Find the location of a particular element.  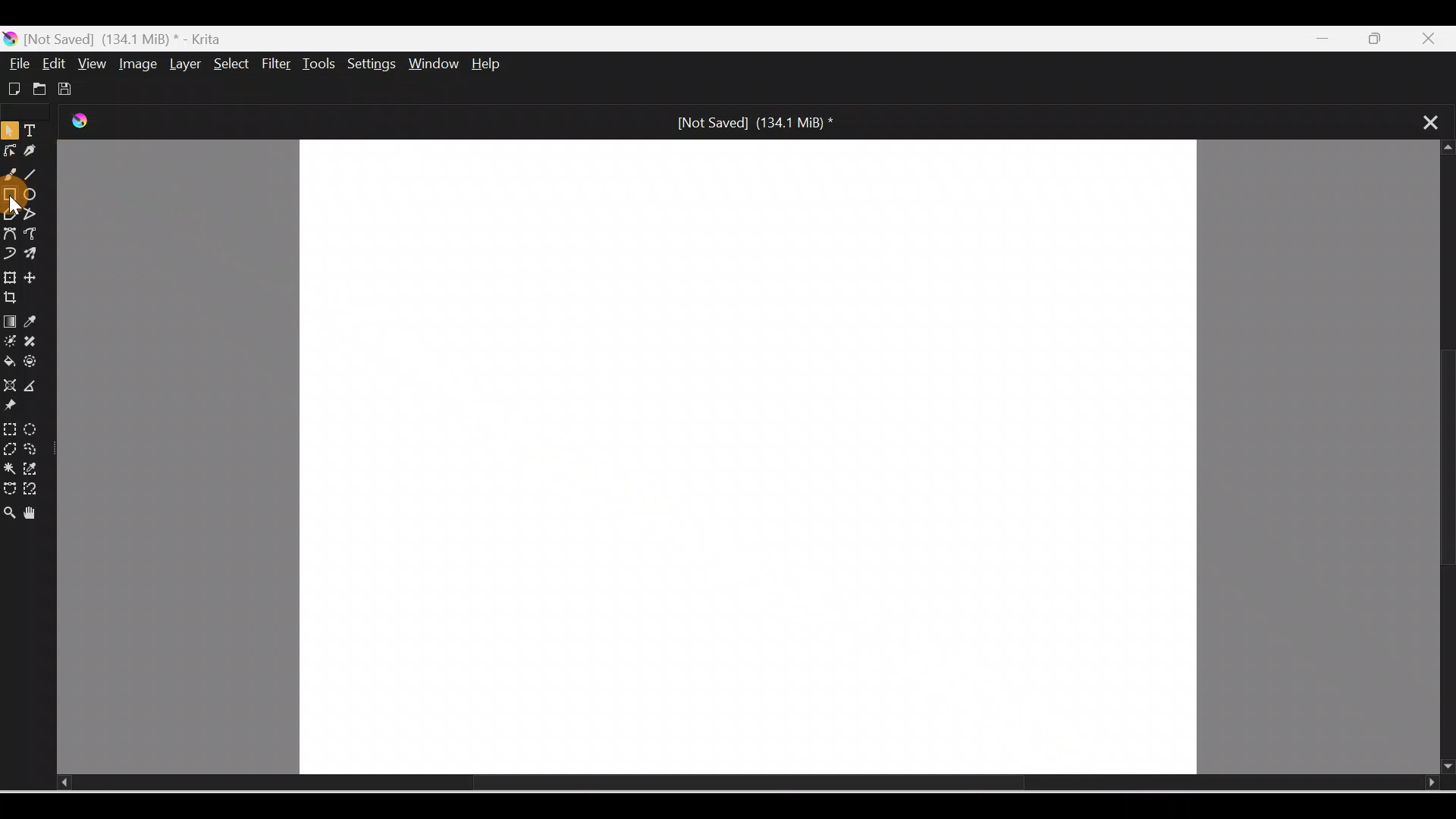

Edit is located at coordinates (55, 64).